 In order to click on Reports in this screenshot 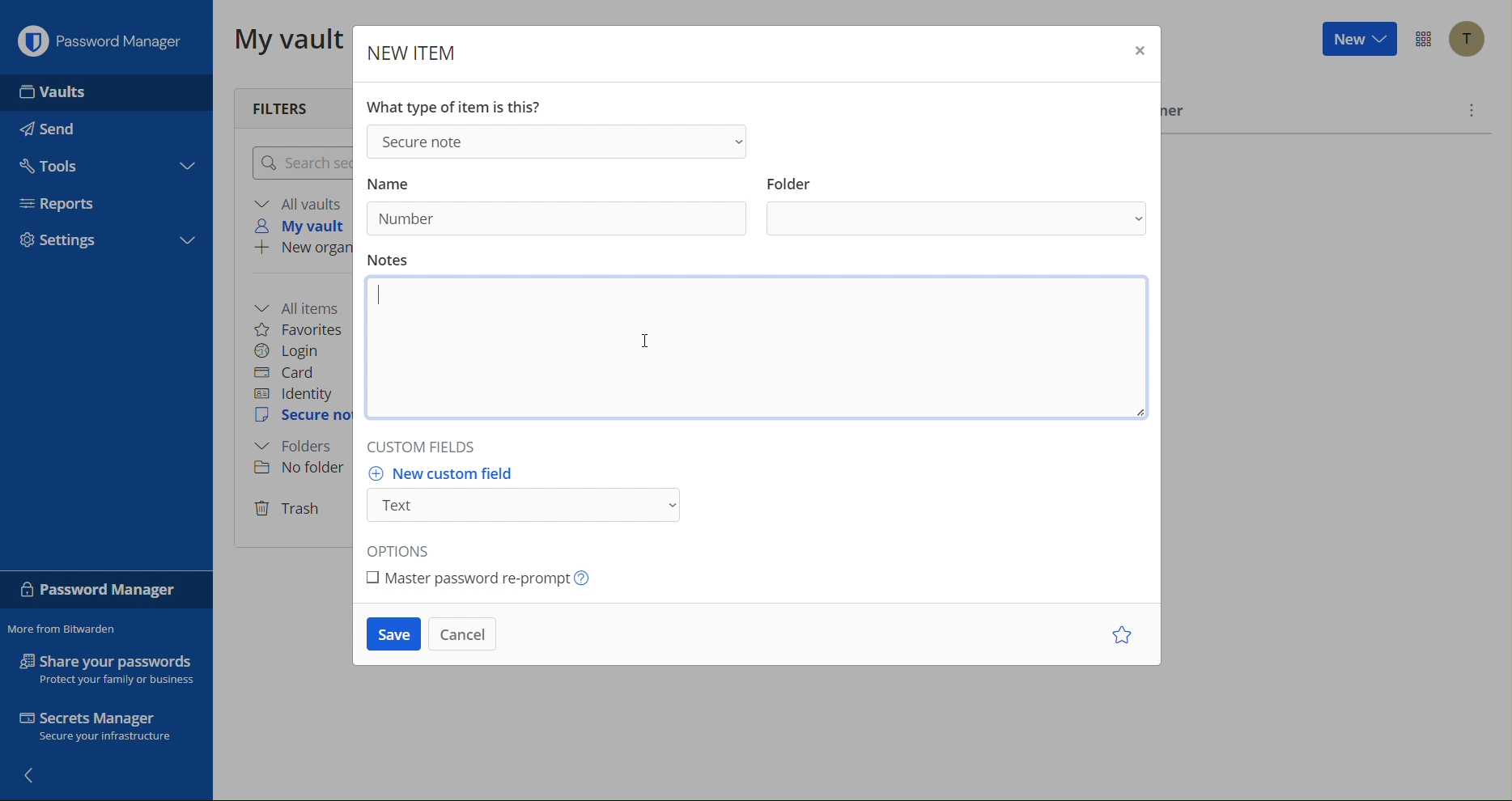, I will do `click(63, 204)`.